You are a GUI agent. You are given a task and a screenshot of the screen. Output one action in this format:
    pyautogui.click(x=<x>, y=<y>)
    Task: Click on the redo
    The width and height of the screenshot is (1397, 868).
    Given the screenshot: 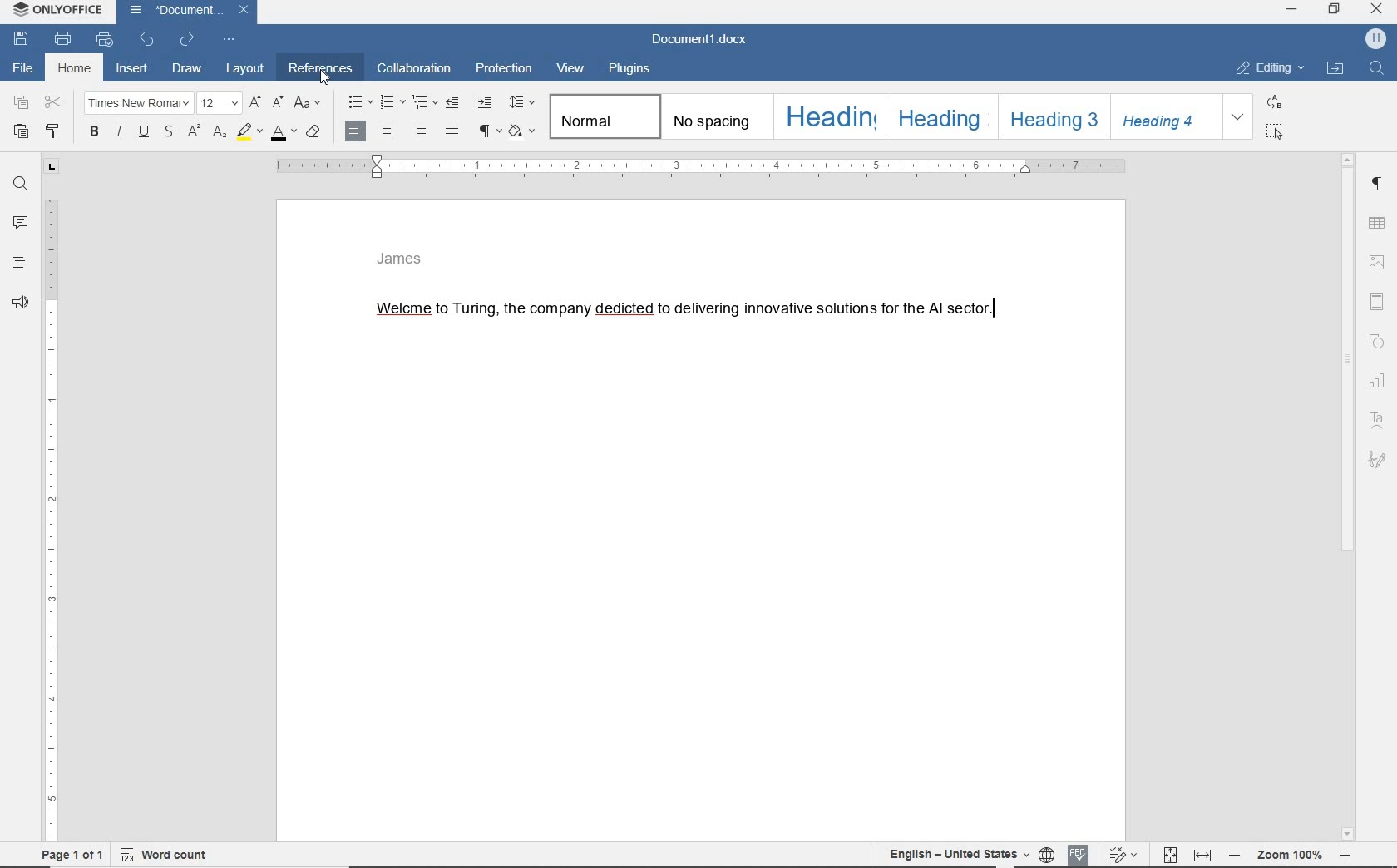 What is the action you would take?
    pyautogui.click(x=187, y=42)
    